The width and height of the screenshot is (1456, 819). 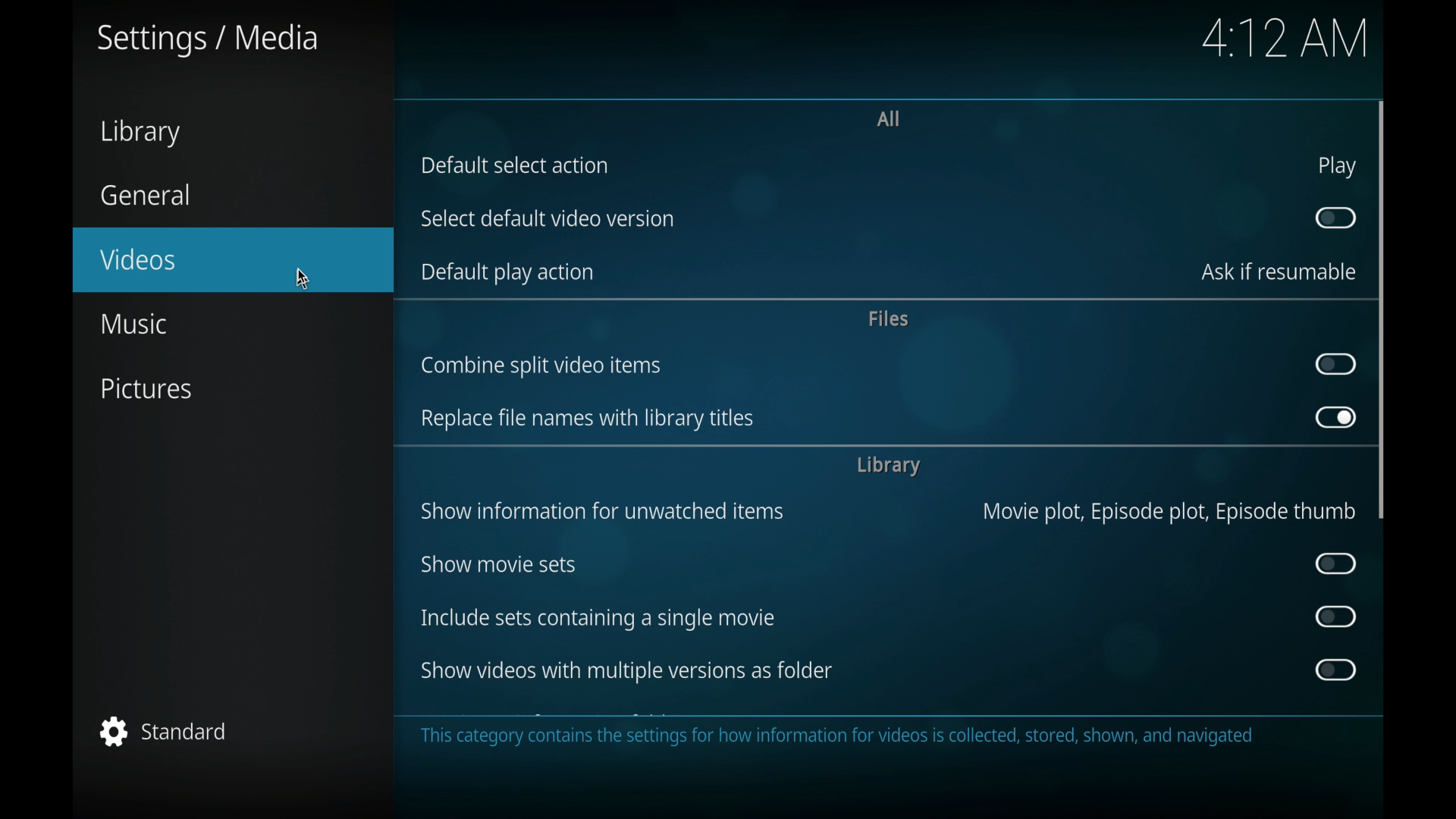 I want to click on Movie plot, Episode plot, Episode thumb, so click(x=1172, y=509).